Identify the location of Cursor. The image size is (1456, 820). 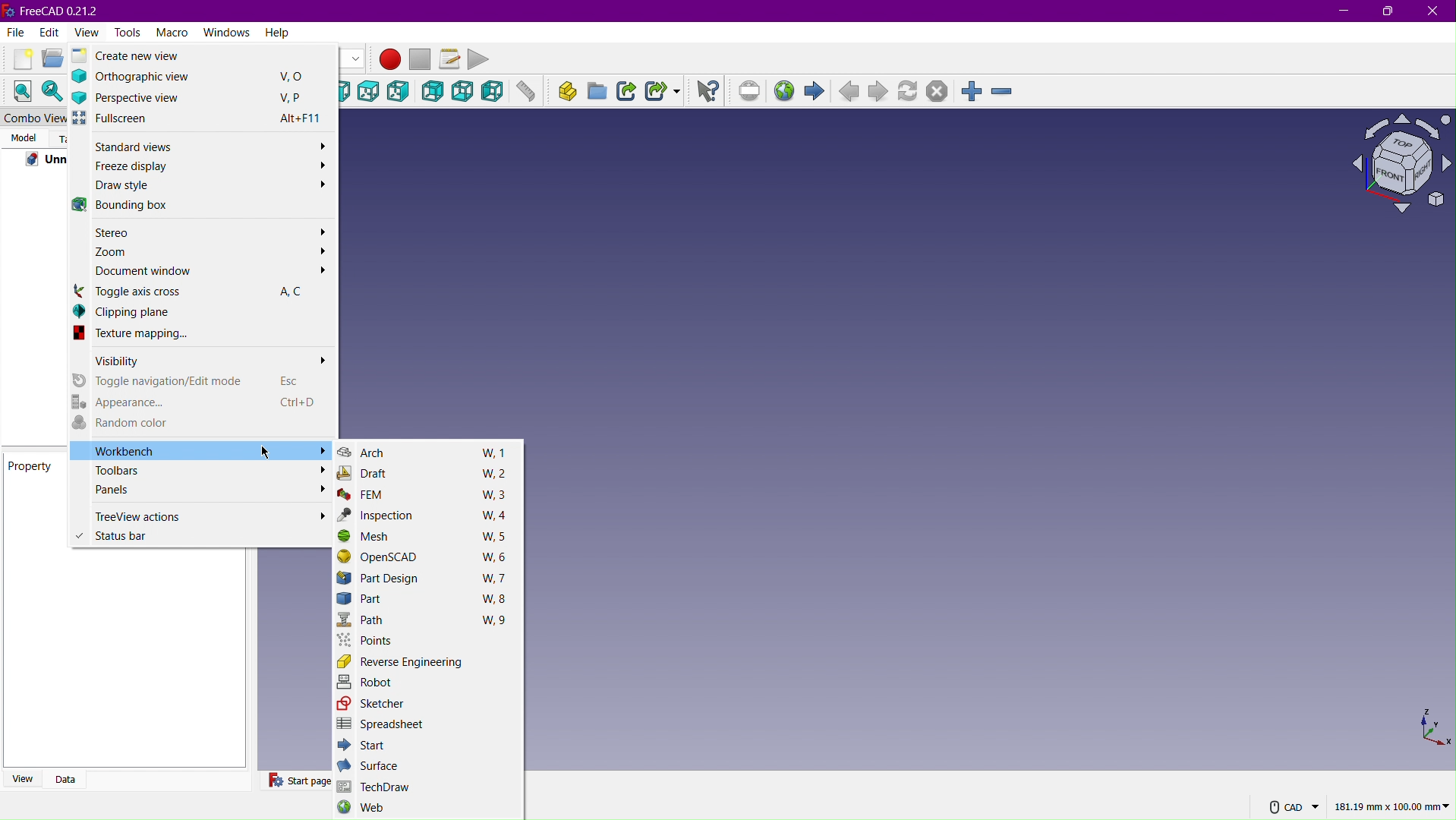
(272, 455).